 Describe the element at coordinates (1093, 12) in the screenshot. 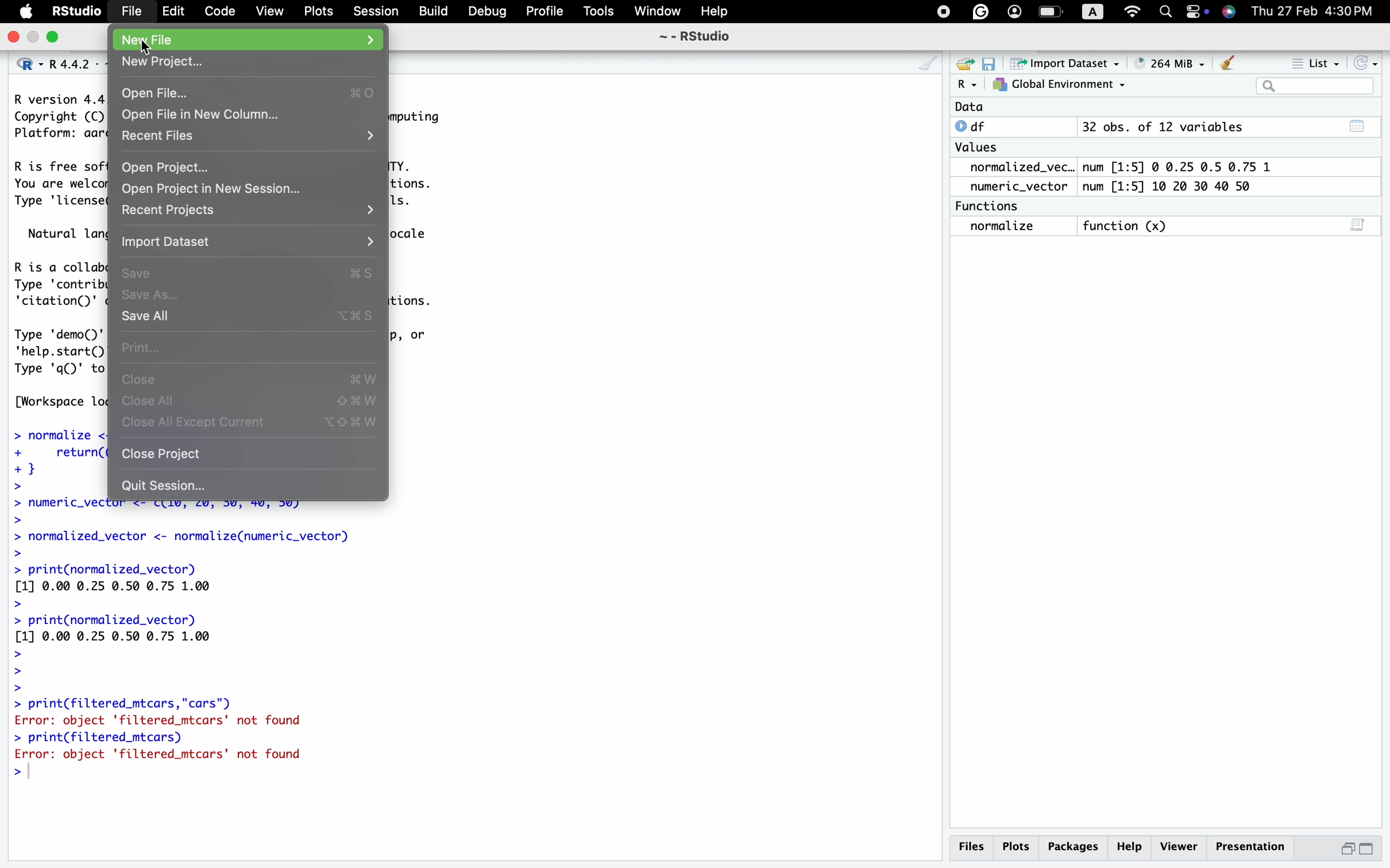

I see `A` at that location.